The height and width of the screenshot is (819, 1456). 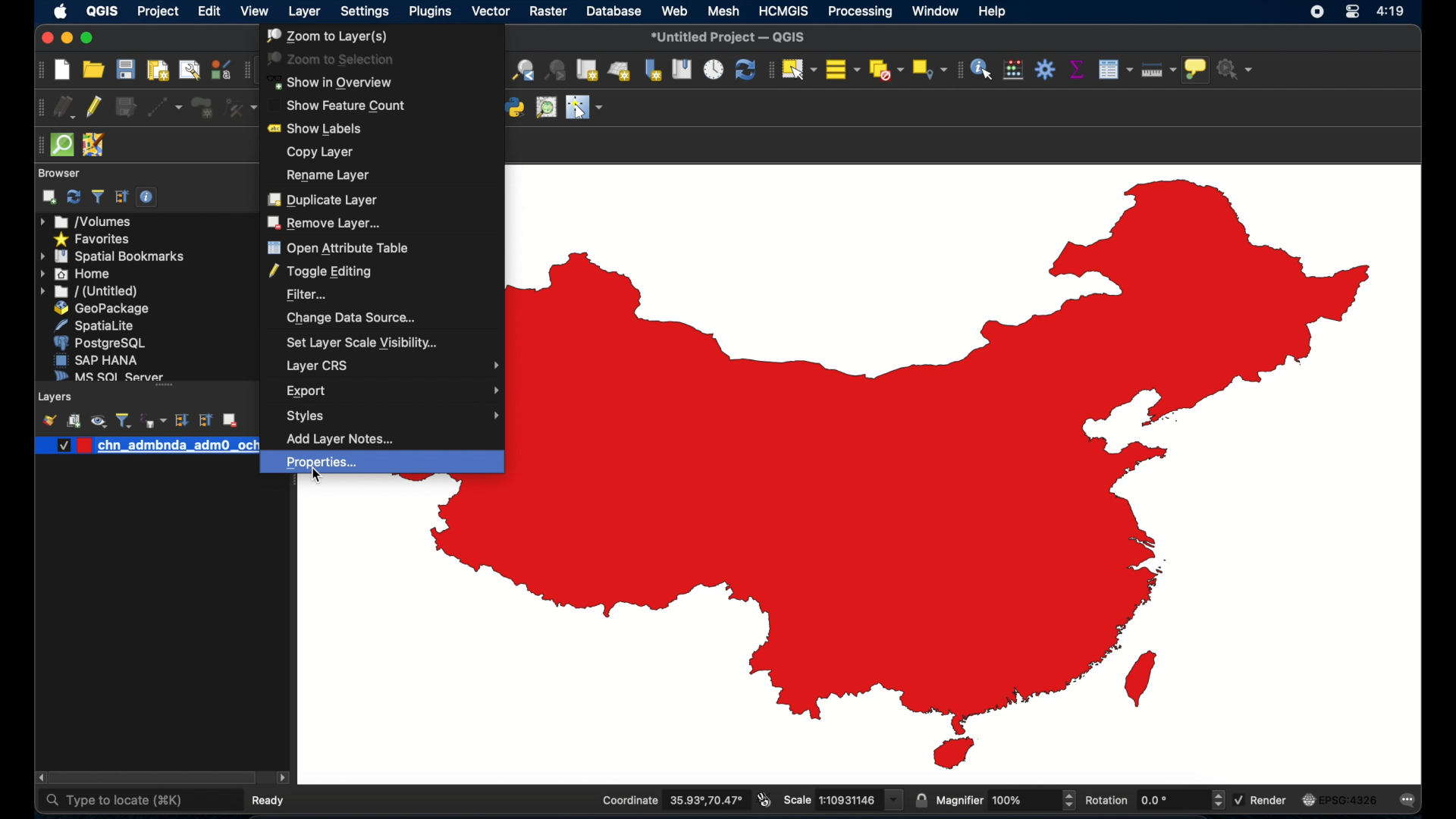 What do you see at coordinates (220, 70) in the screenshot?
I see `style manager` at bounding box center [220, 70].